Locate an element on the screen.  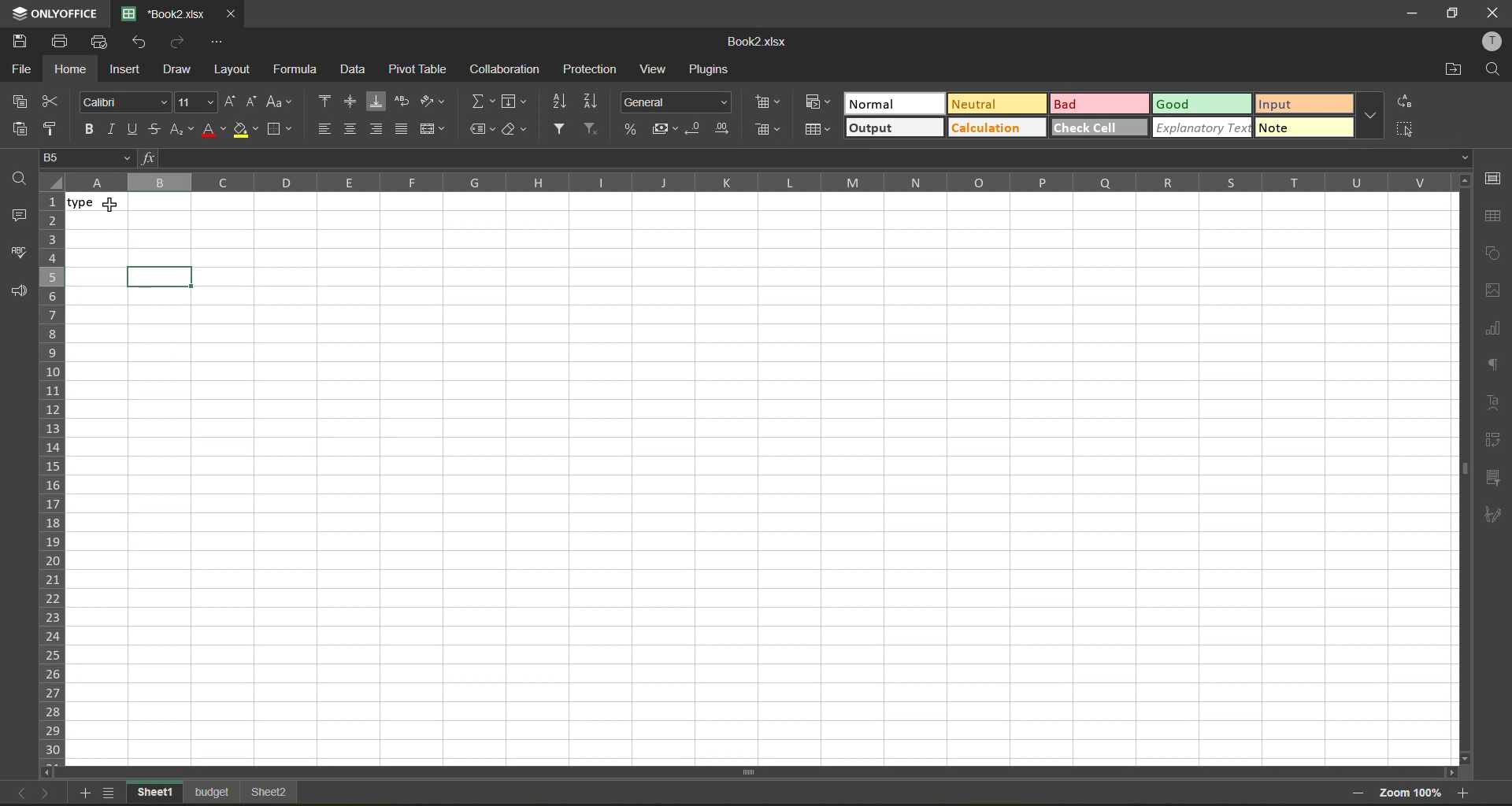
ONLYOFFICE is located at coordinates (55, 13).